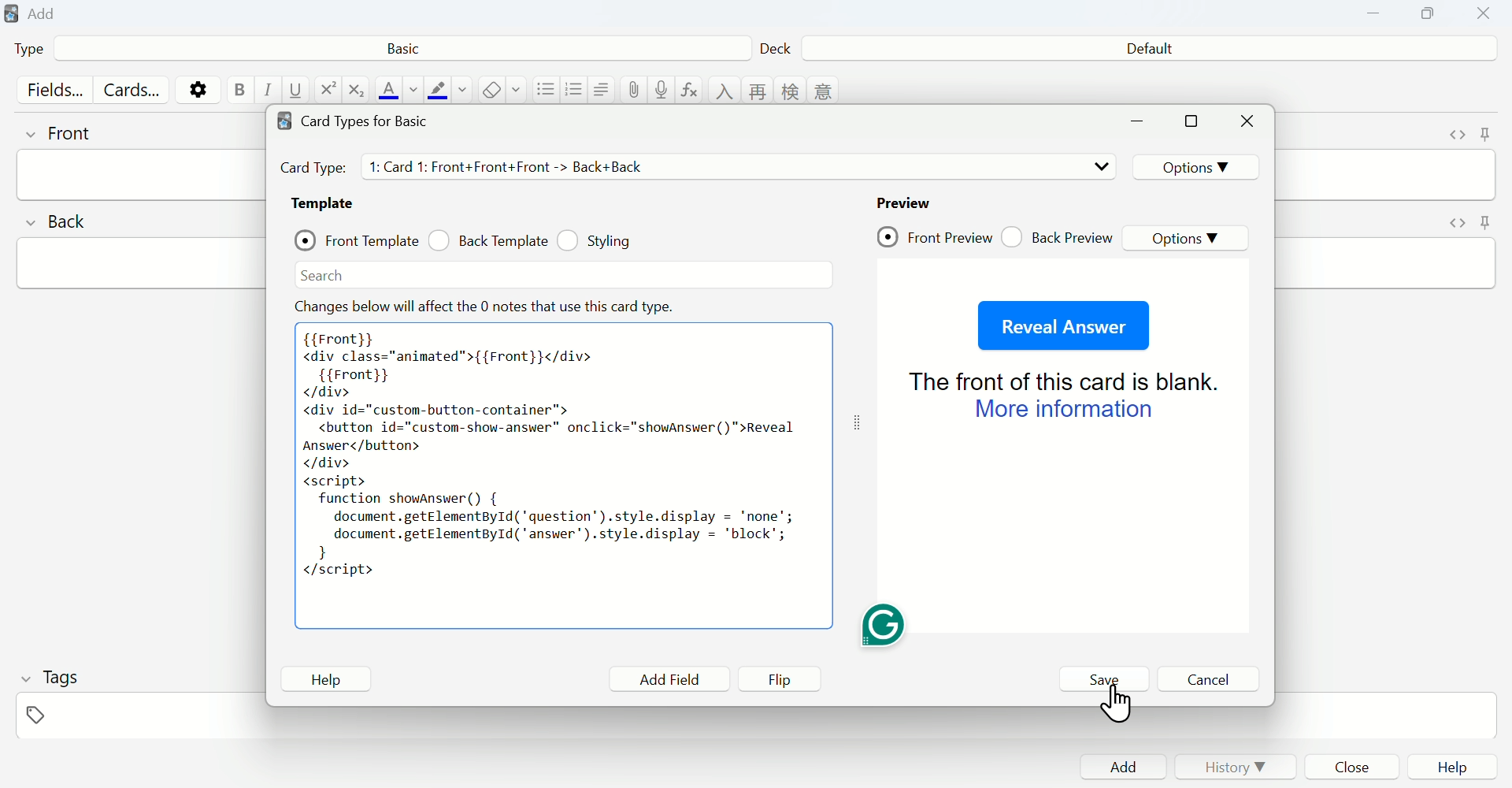 The image size is (1512, 788). I want to click on back, so click(64, 221).